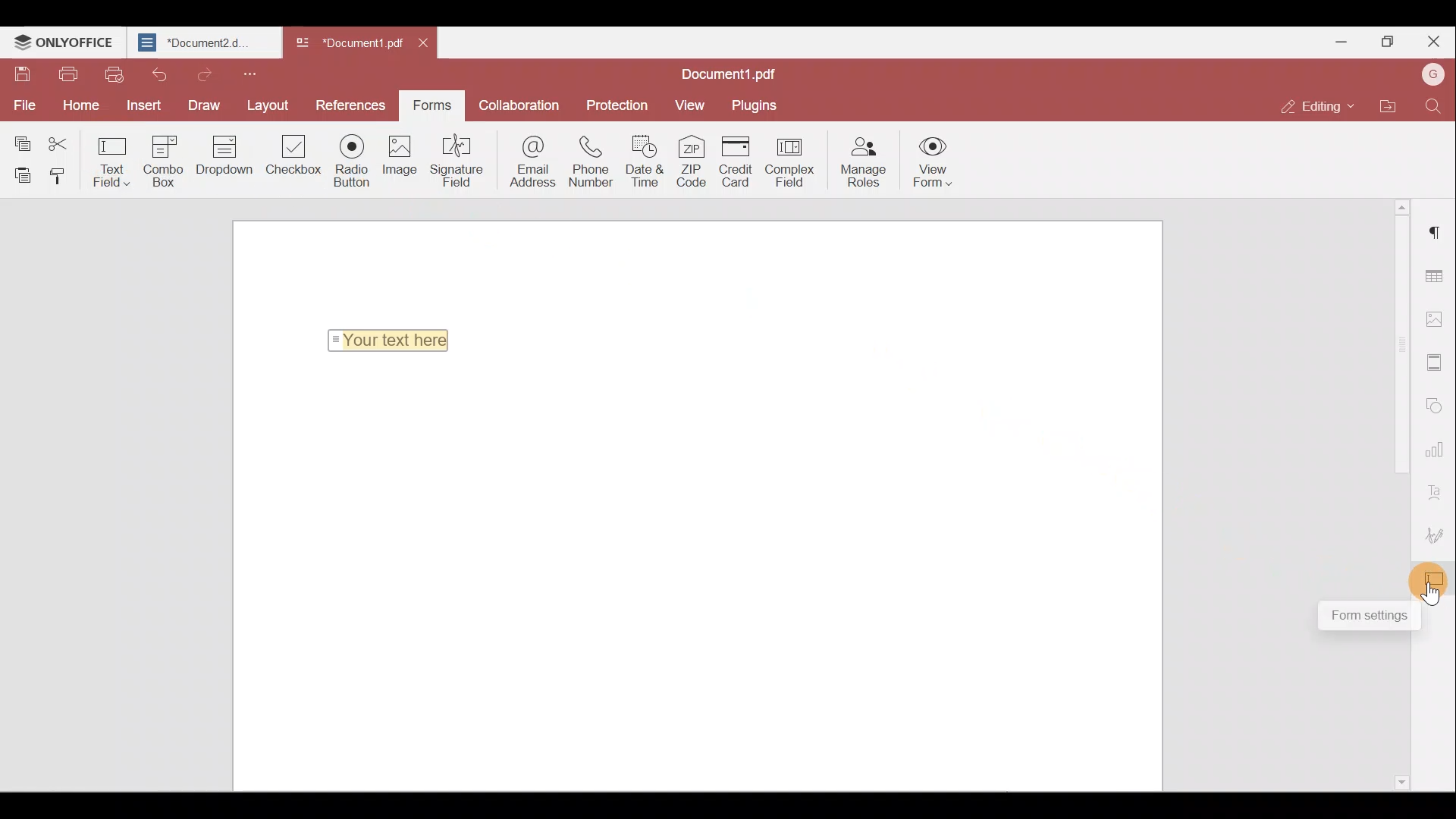 The height and width of the screenshot is (819, 1456). What do you see at coordinates (142, 104) in the screenshot?
I see `Insert` at bounding box center [142, 104].